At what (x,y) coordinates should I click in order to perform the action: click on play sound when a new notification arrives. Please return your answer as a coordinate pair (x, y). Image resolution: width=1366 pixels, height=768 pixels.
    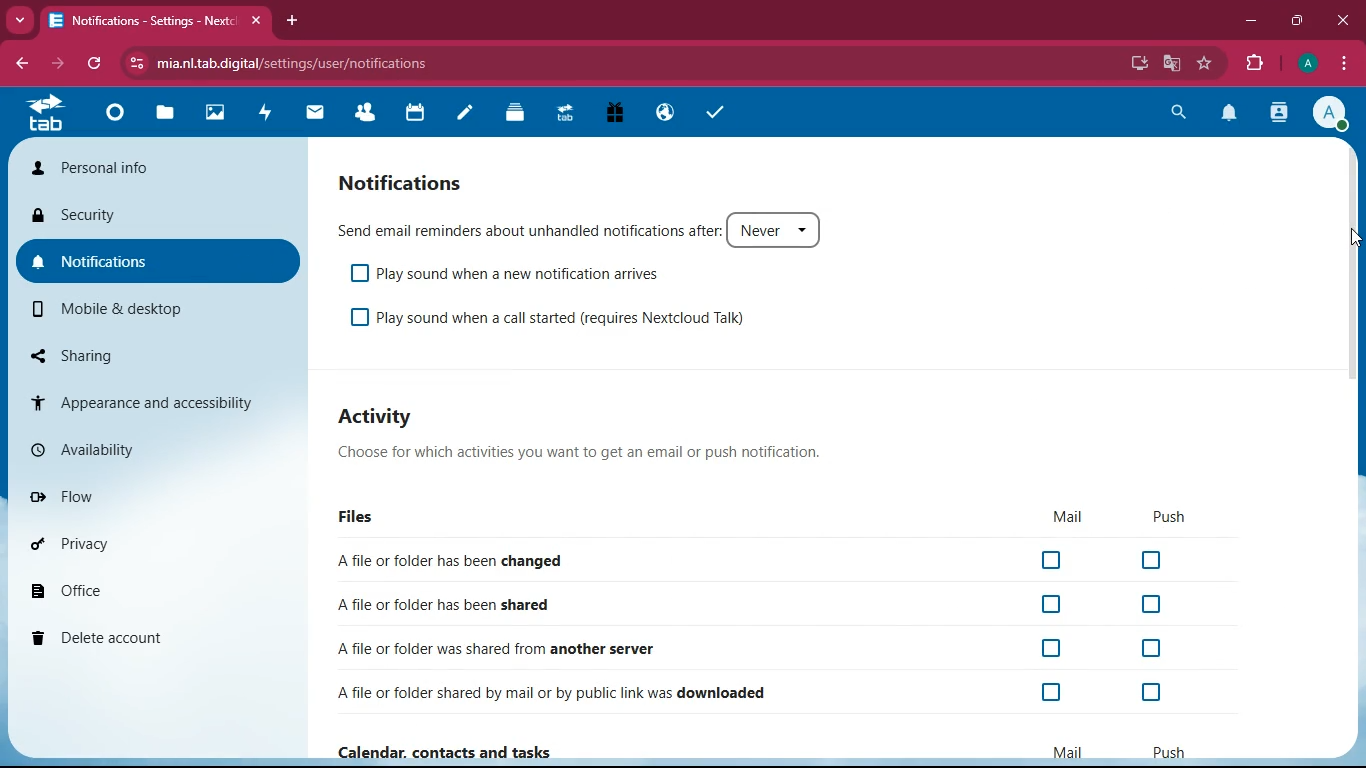
    Looking at the image, I should click on (517, 273).